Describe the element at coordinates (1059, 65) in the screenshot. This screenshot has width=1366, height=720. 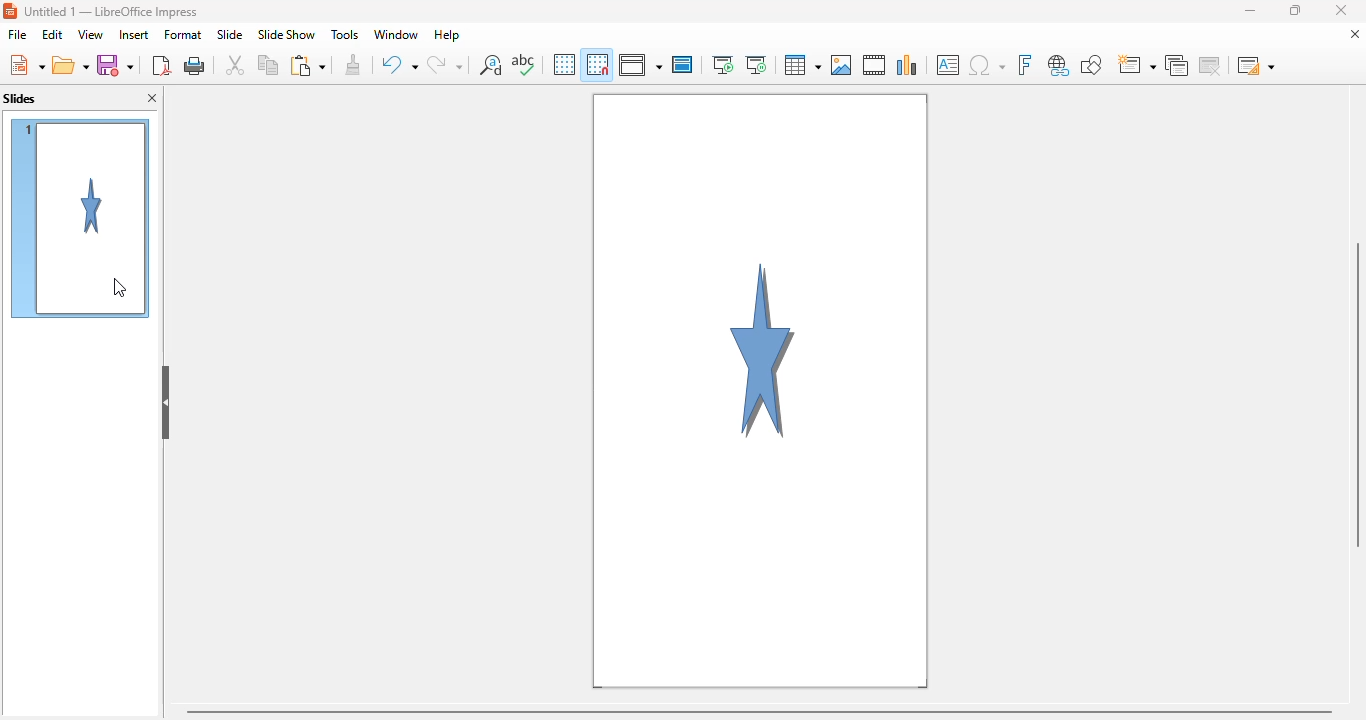
I see `insert hyperlink` at that location.